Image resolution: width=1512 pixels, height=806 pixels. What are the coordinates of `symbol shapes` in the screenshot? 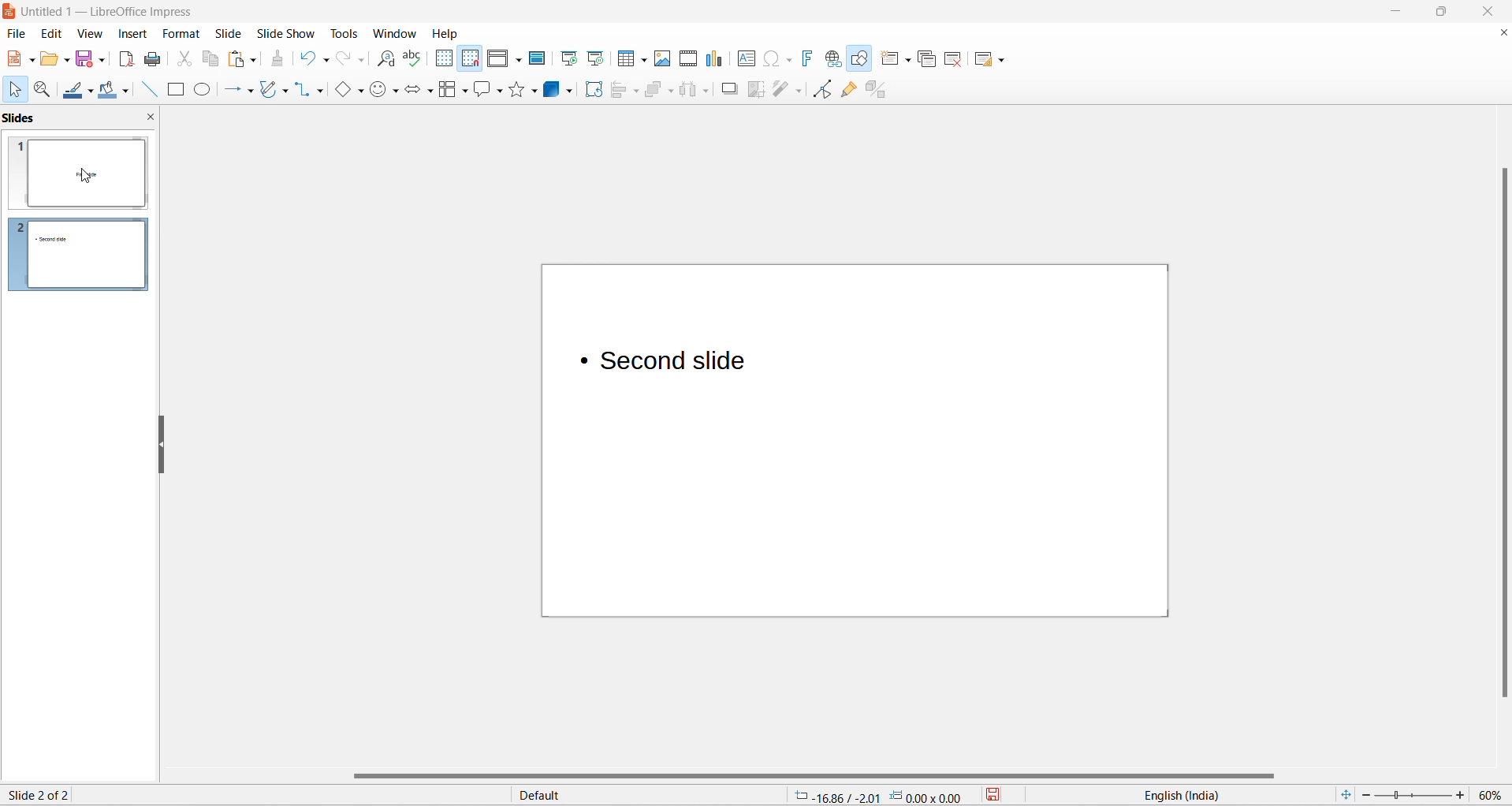 It's located at (378, 91).